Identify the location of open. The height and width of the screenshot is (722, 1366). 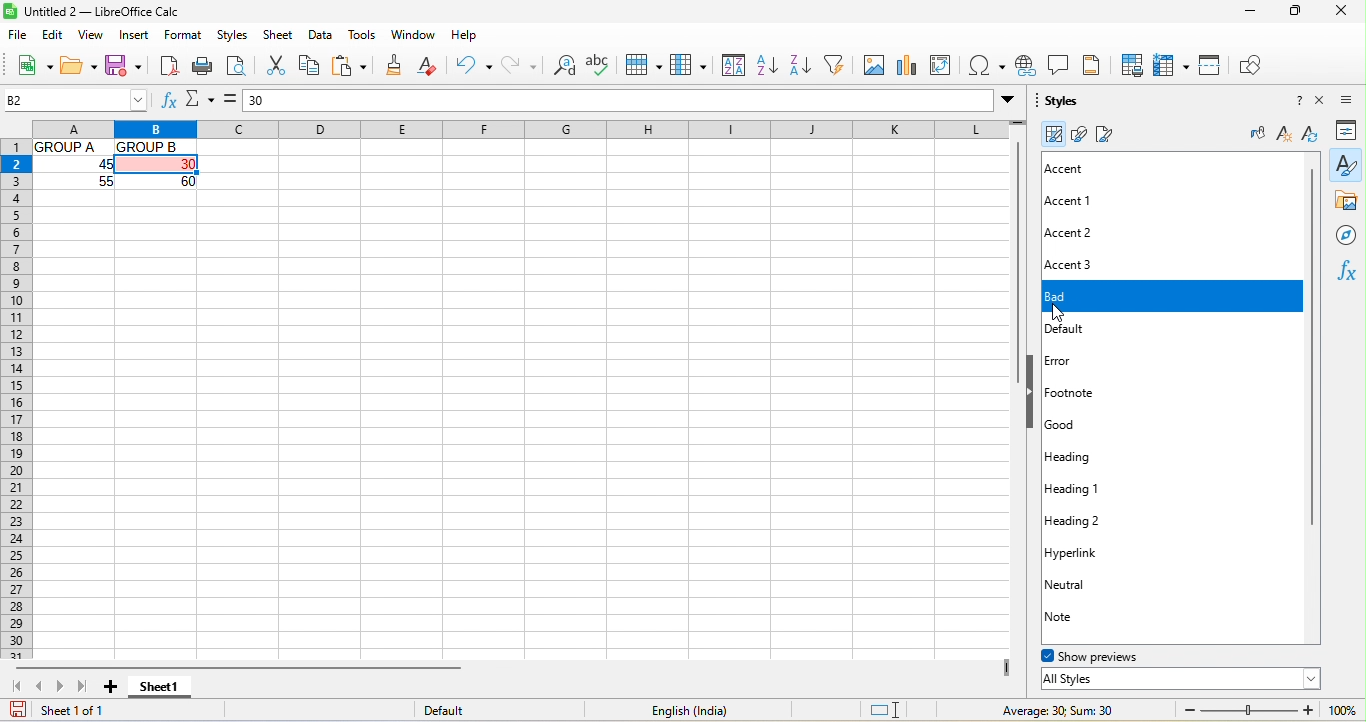
(79, 65).